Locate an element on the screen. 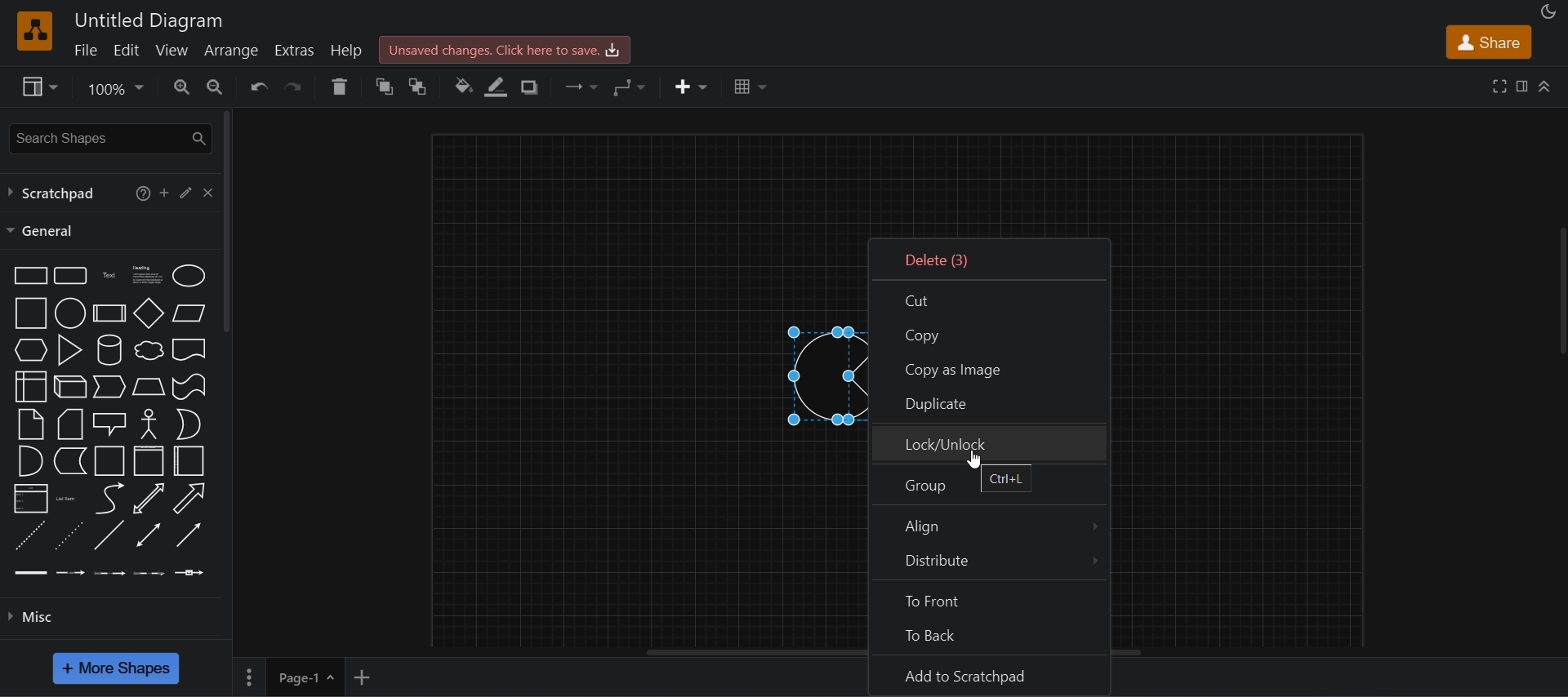  ellipse is located at coordinates (189, 274).